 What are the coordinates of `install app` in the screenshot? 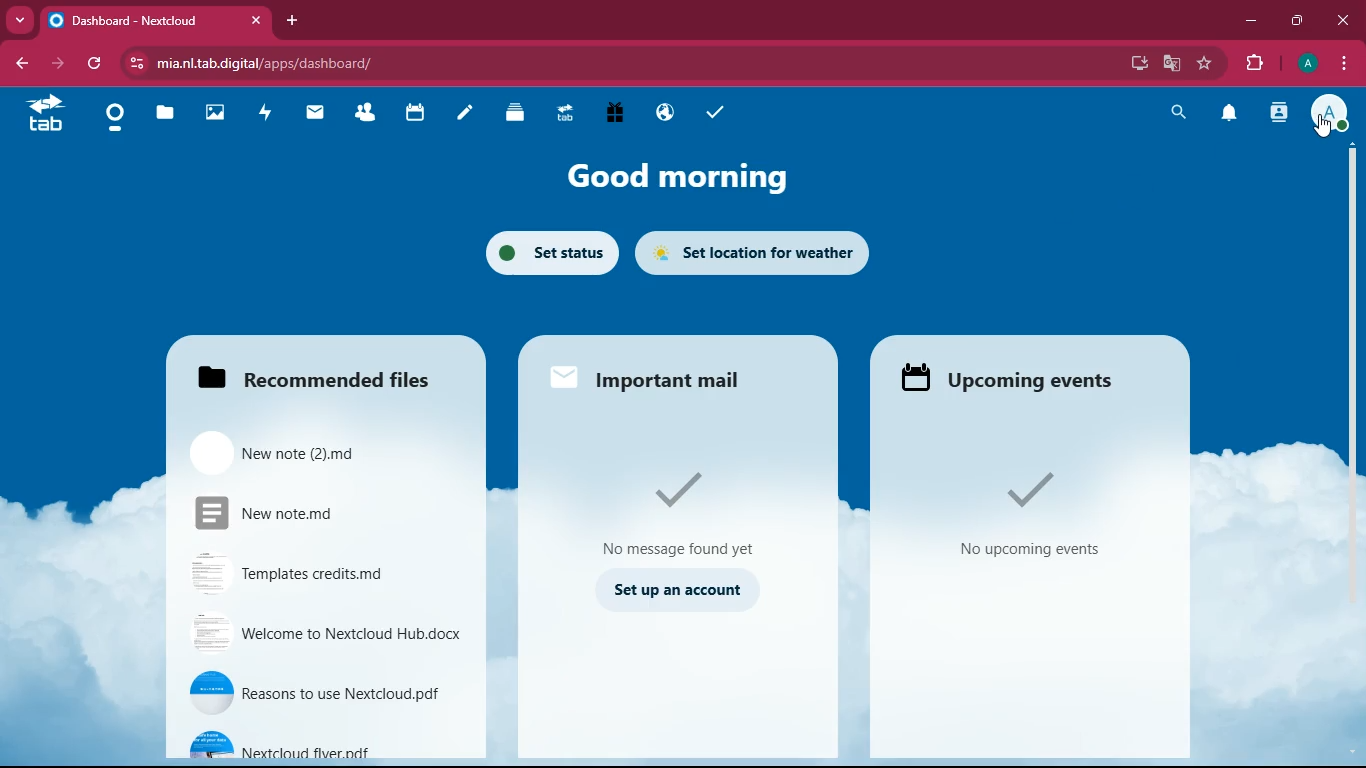 It's located at (1138, 63).